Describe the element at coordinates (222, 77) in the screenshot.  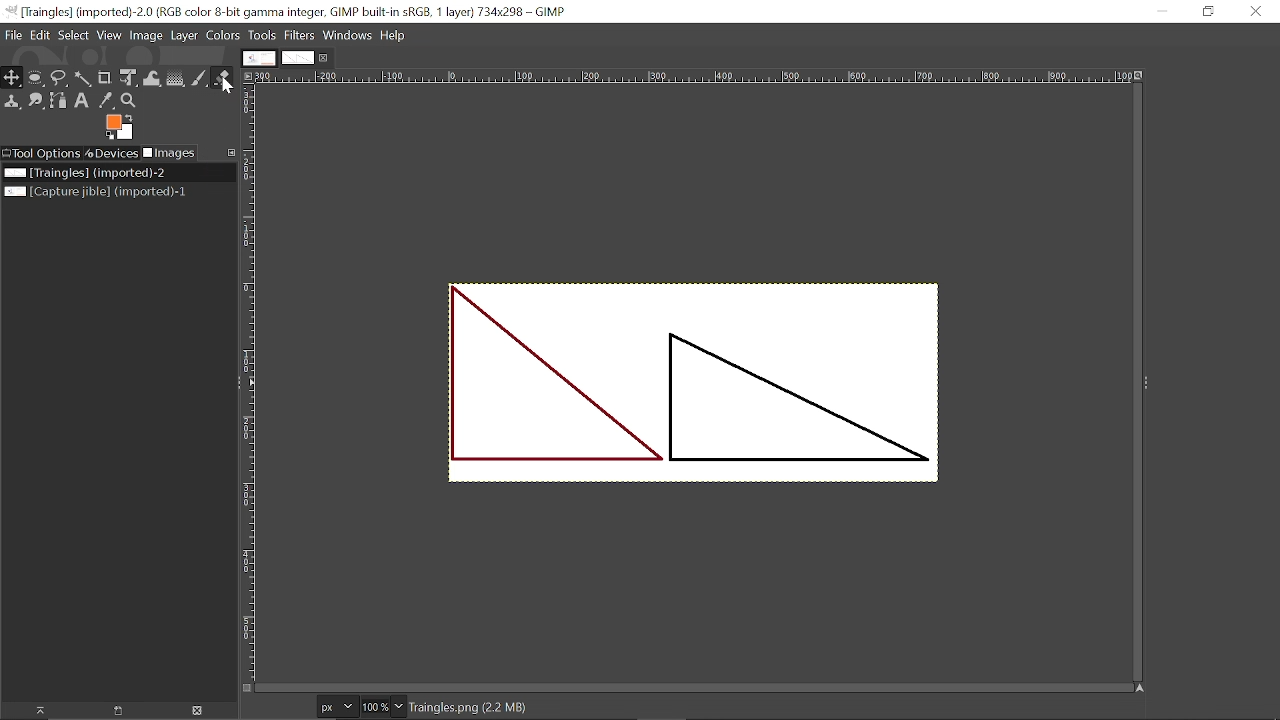
I see `Eraser tool` at that location.